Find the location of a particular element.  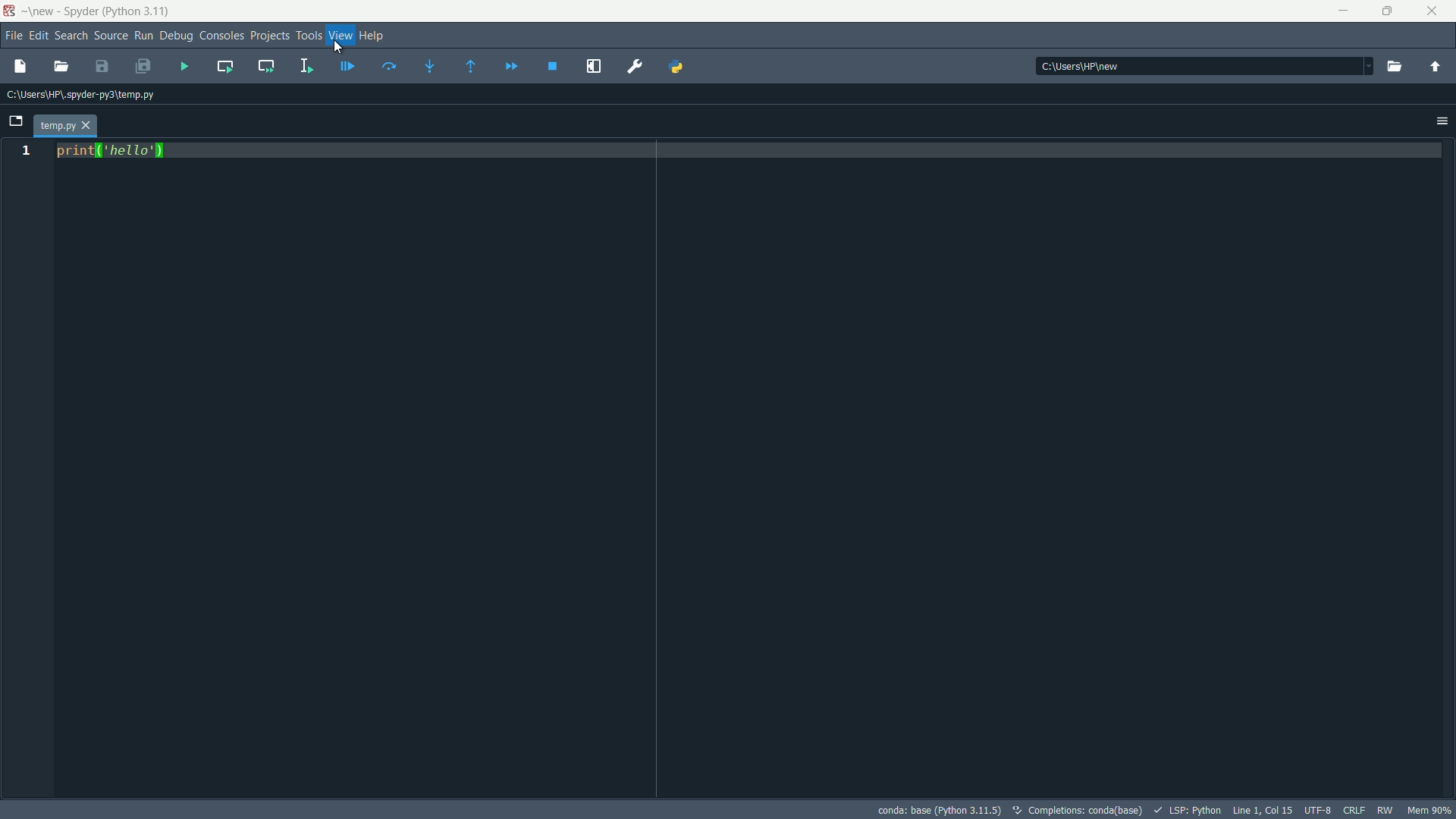

rw is located at coordinates (1385, 810).